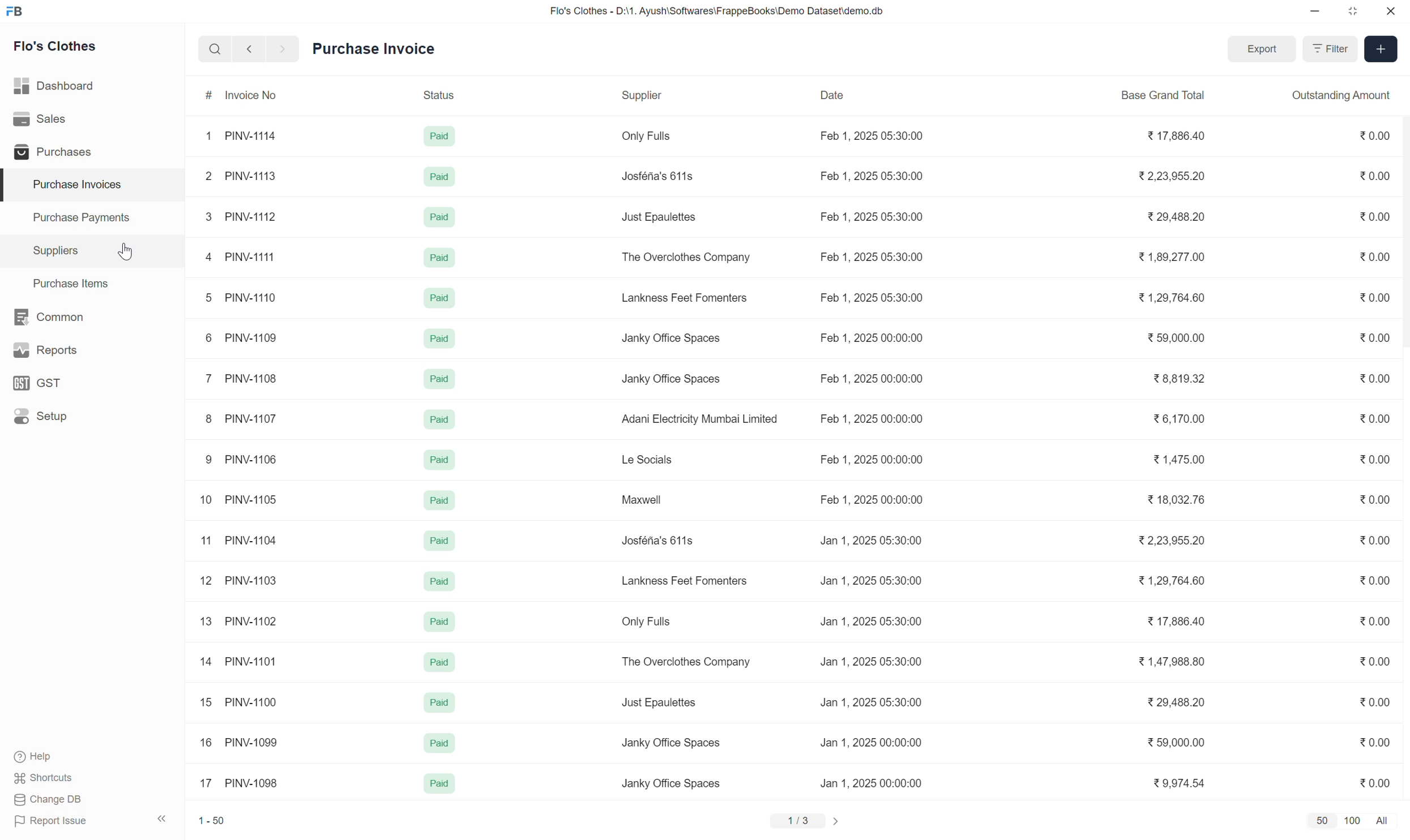 The image size is (1410, 840). I want to click on Paid, so click(439, 460).